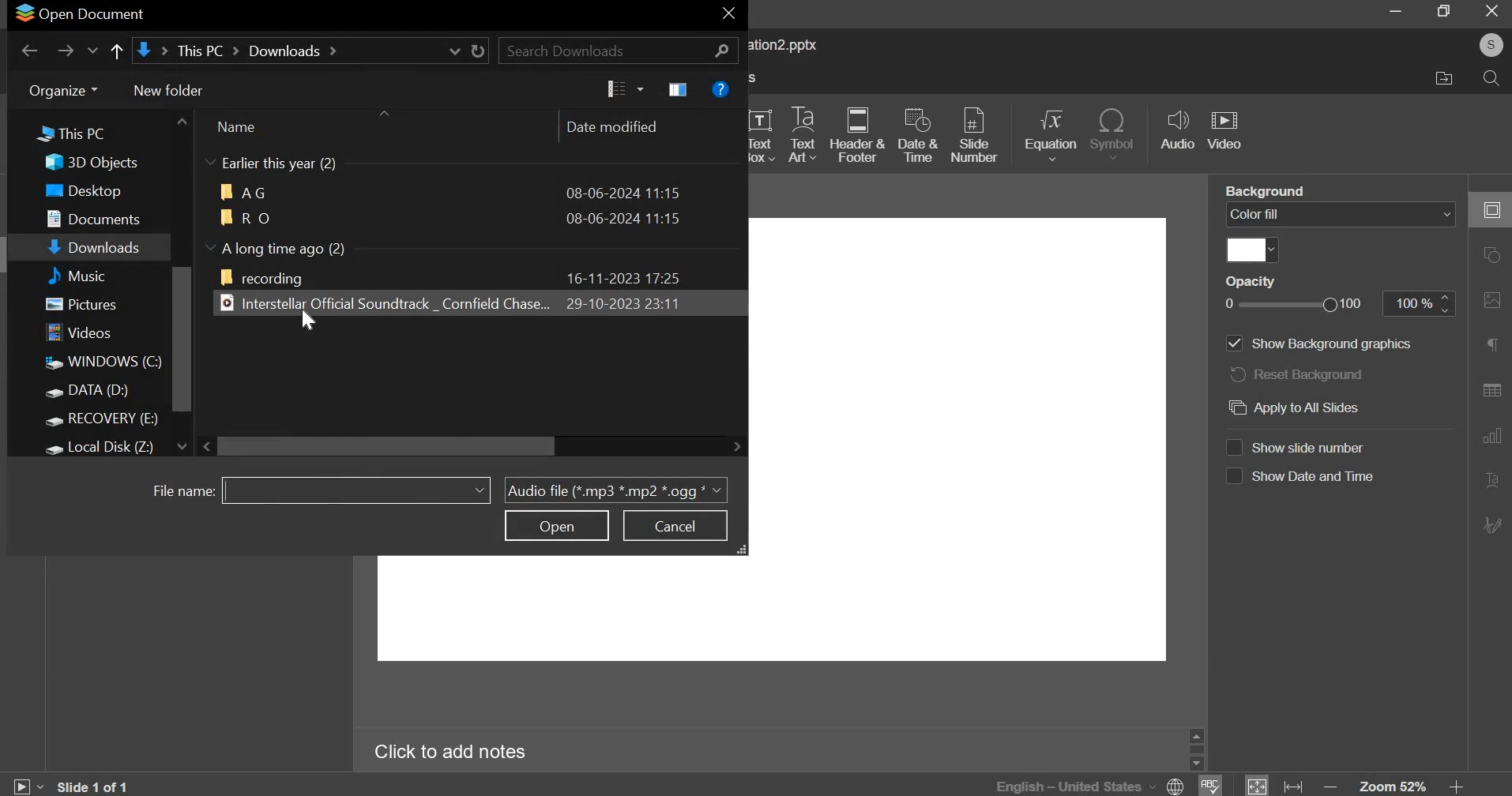 The width and height of the screenshot is (1512, 796). What do you see at coordinates (312, 51) in the screenshot?
I see `file location` at bounding box center [312, 51].